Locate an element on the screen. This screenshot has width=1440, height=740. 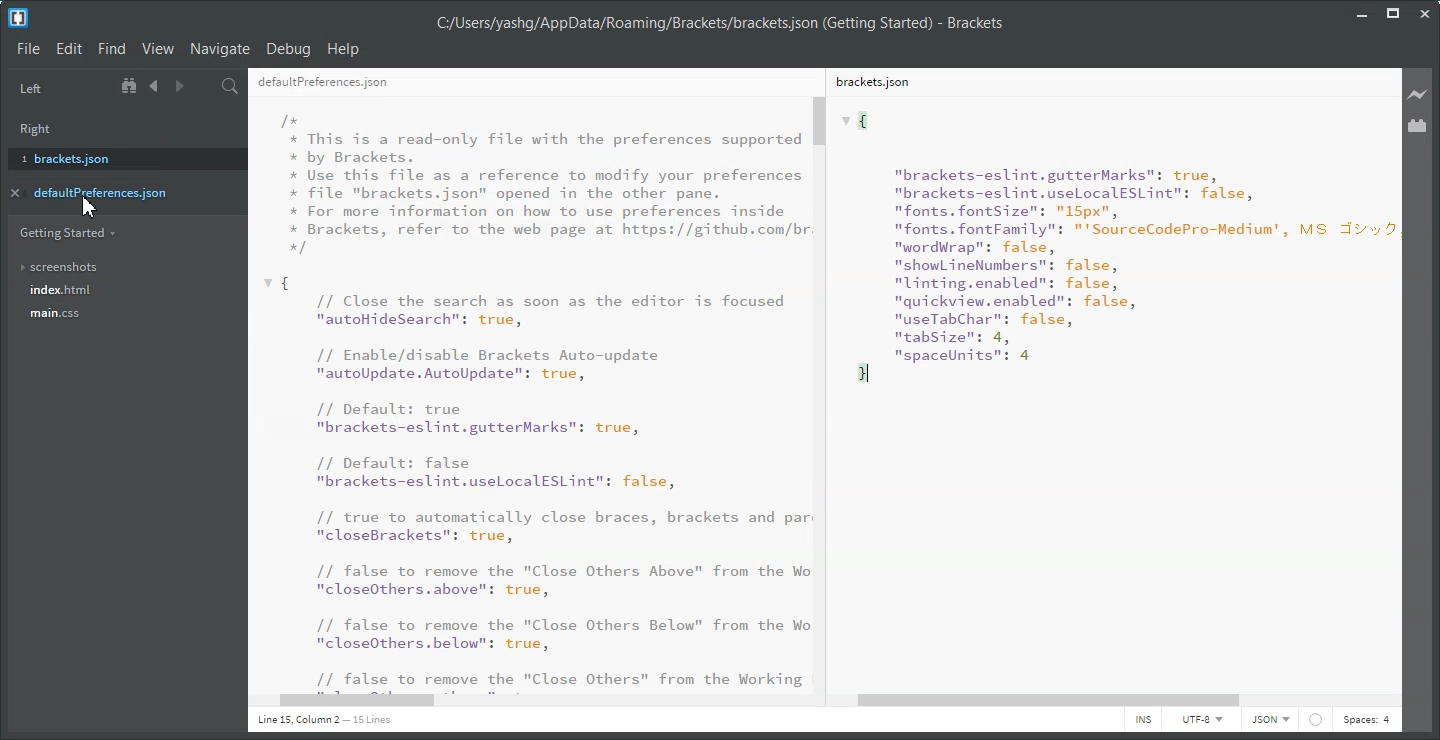
Vertical Scroll Bar is located at coordinates (821, 392).